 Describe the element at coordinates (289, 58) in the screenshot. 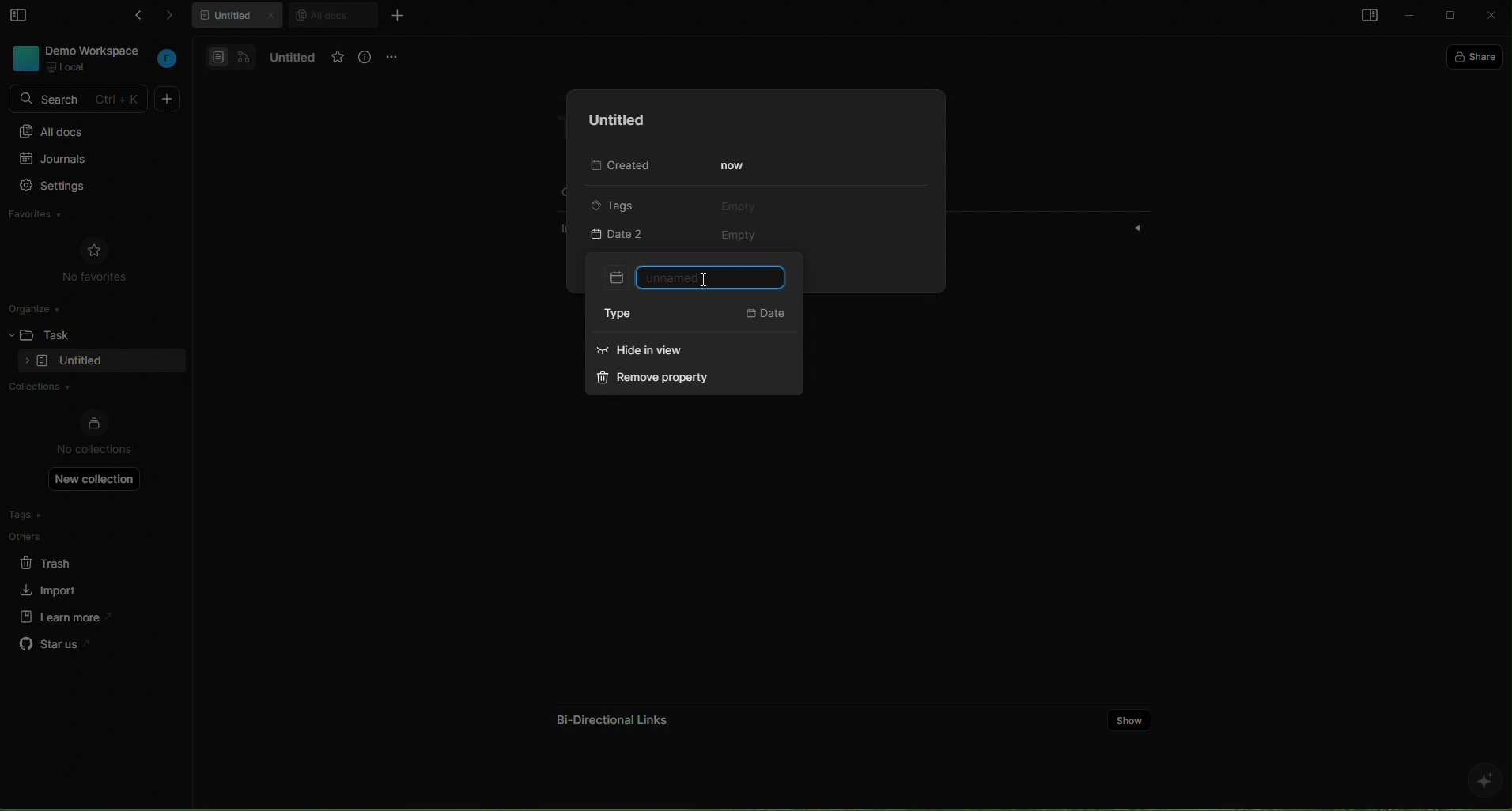

I see `untitled` at that location.